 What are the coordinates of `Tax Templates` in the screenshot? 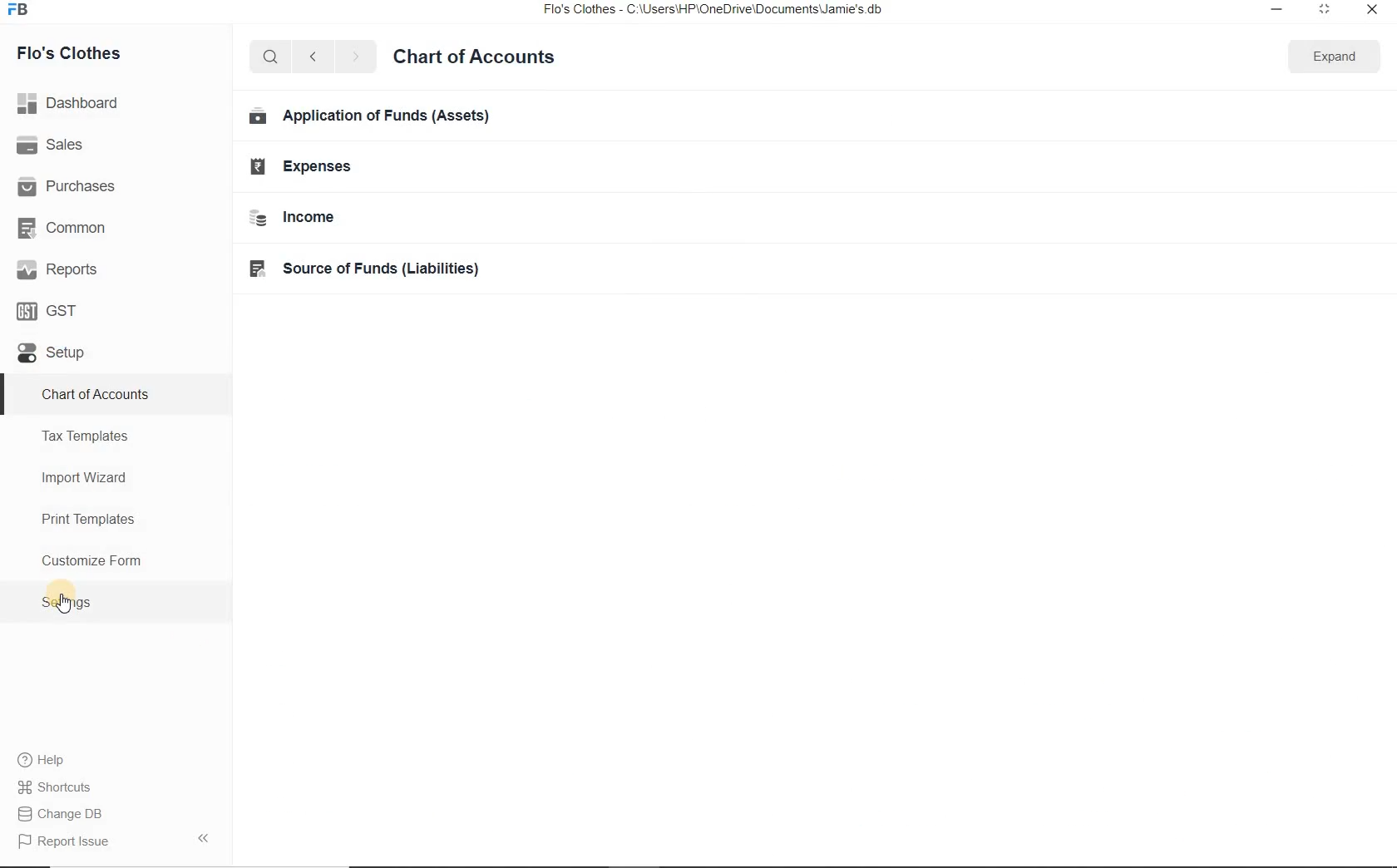 It's located at (91, 435).